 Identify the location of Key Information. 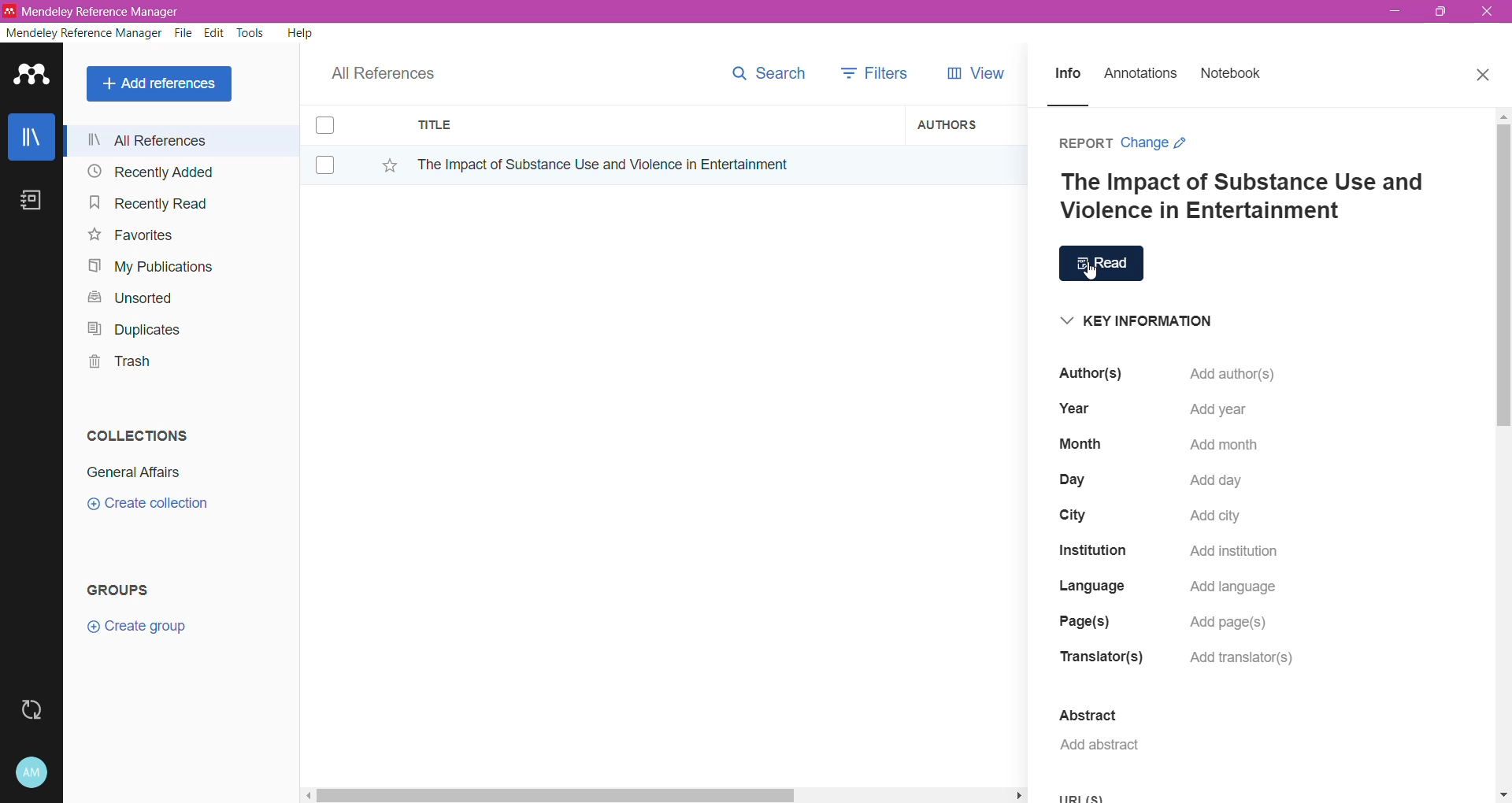
(1149, 316).